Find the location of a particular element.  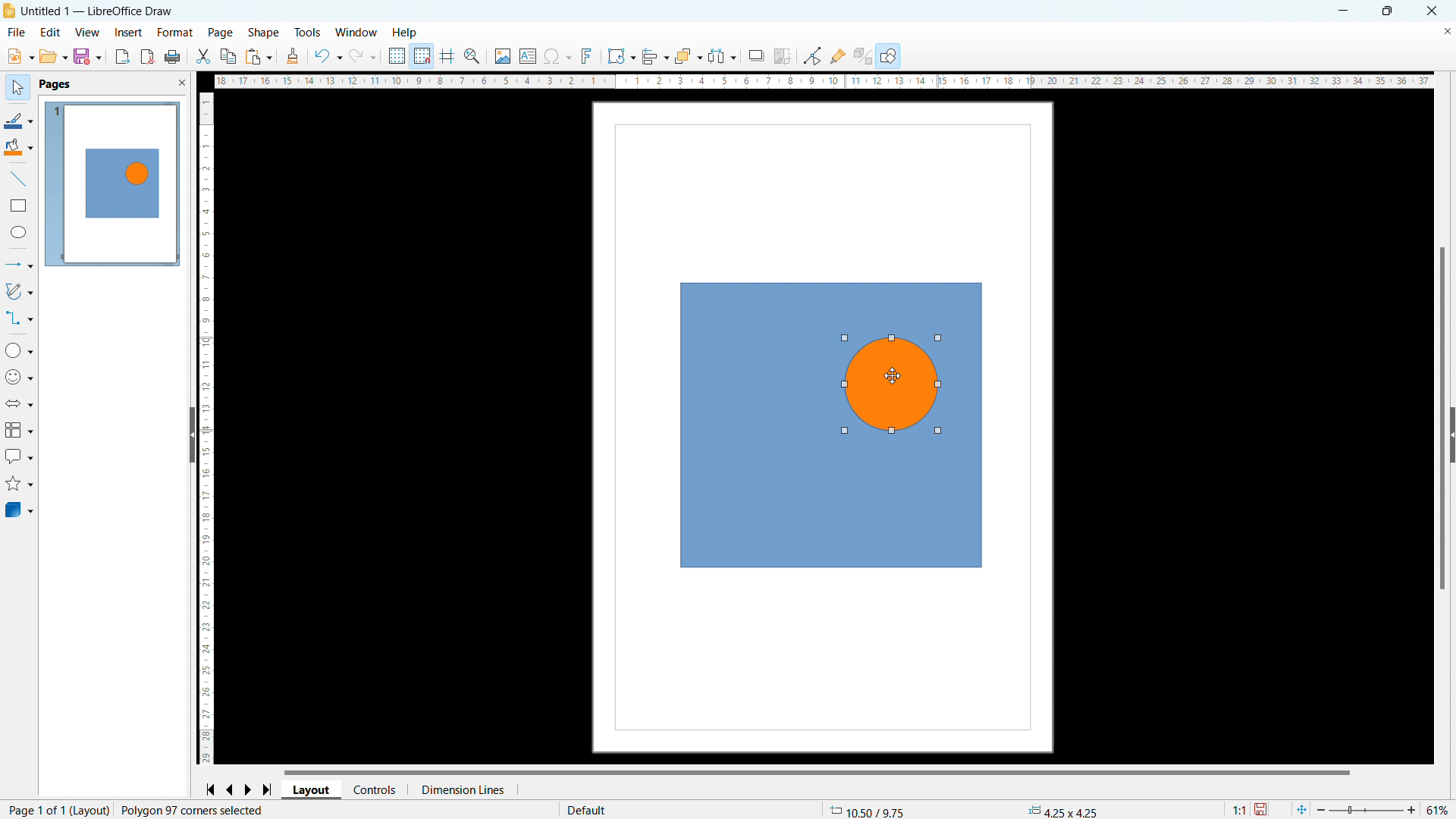

fit to current window is located at coordinates (1301, 809).